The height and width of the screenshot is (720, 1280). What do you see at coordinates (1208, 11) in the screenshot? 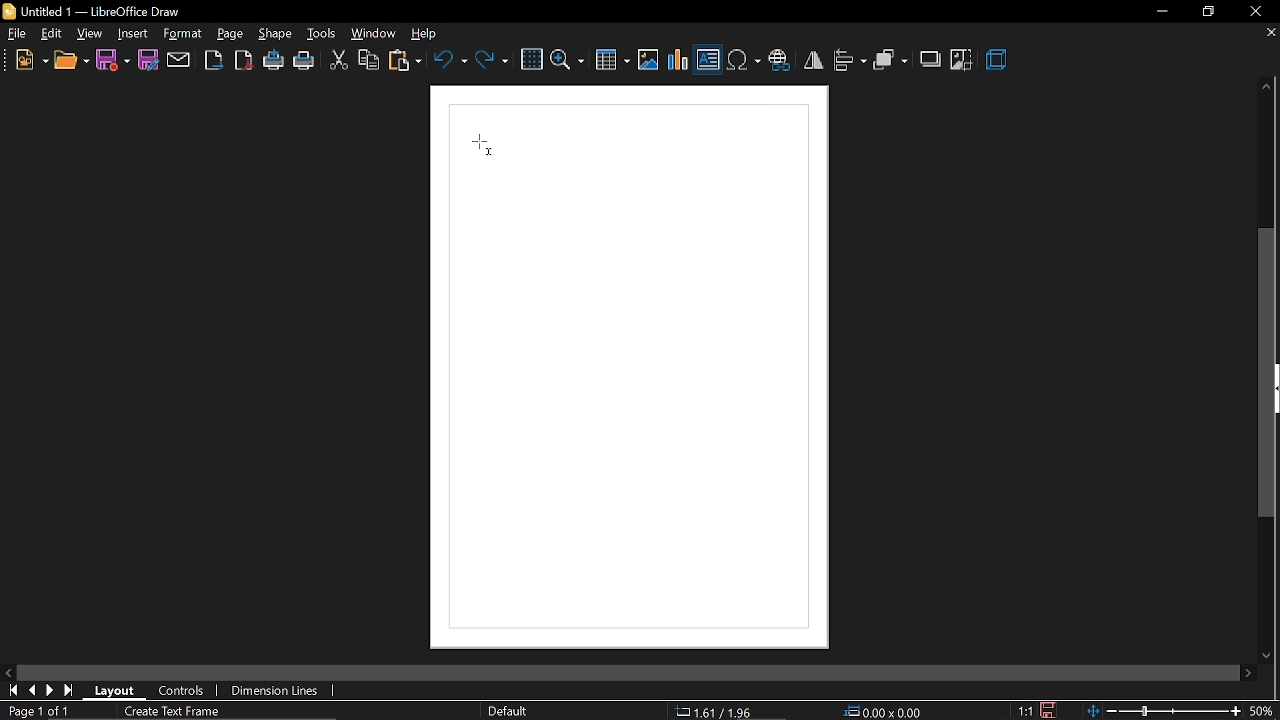
I see `restore down` at bounding box center [1208, 11].